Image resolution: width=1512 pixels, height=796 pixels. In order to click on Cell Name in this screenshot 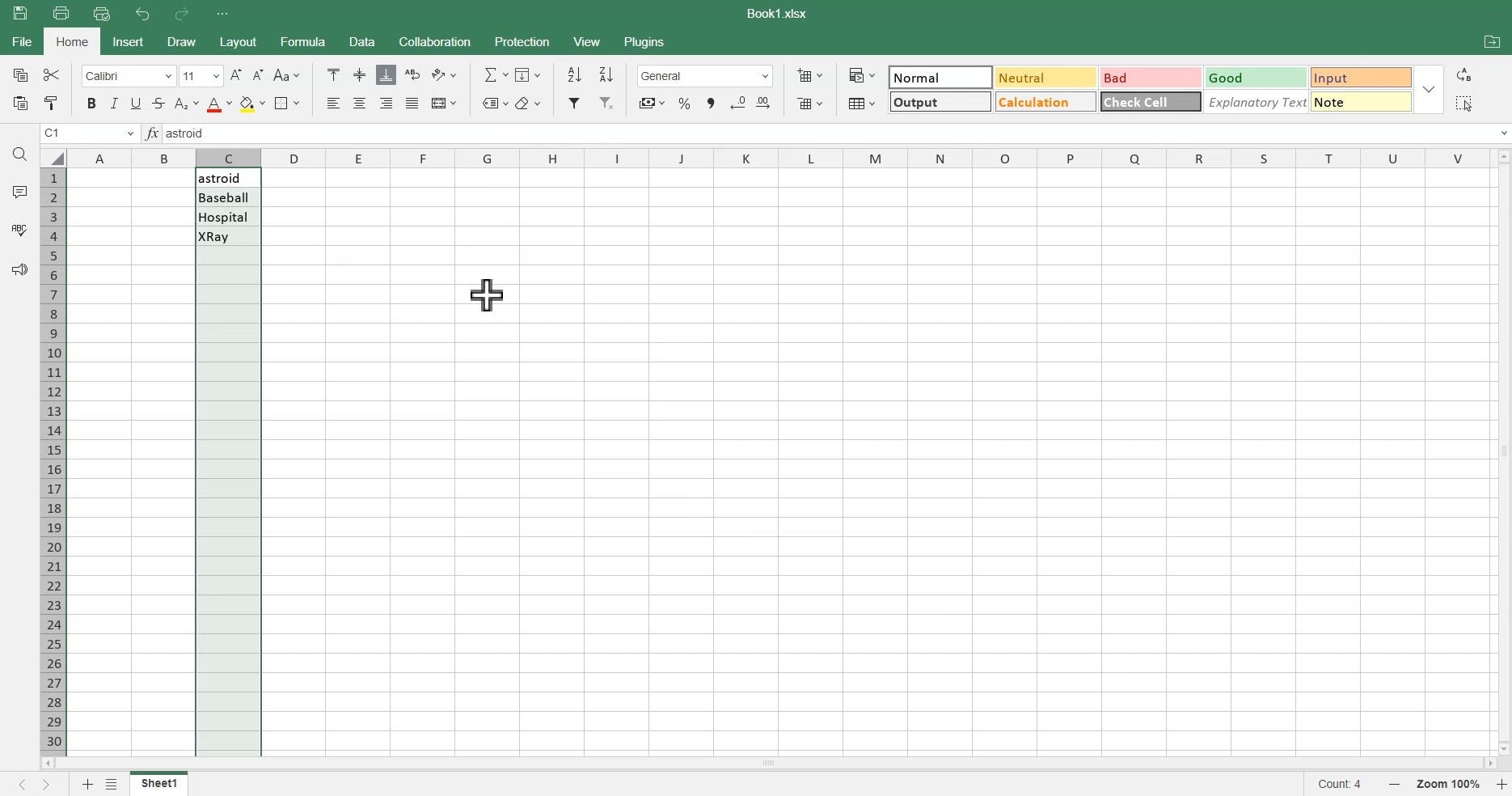, I will do `click(89, 133)`.